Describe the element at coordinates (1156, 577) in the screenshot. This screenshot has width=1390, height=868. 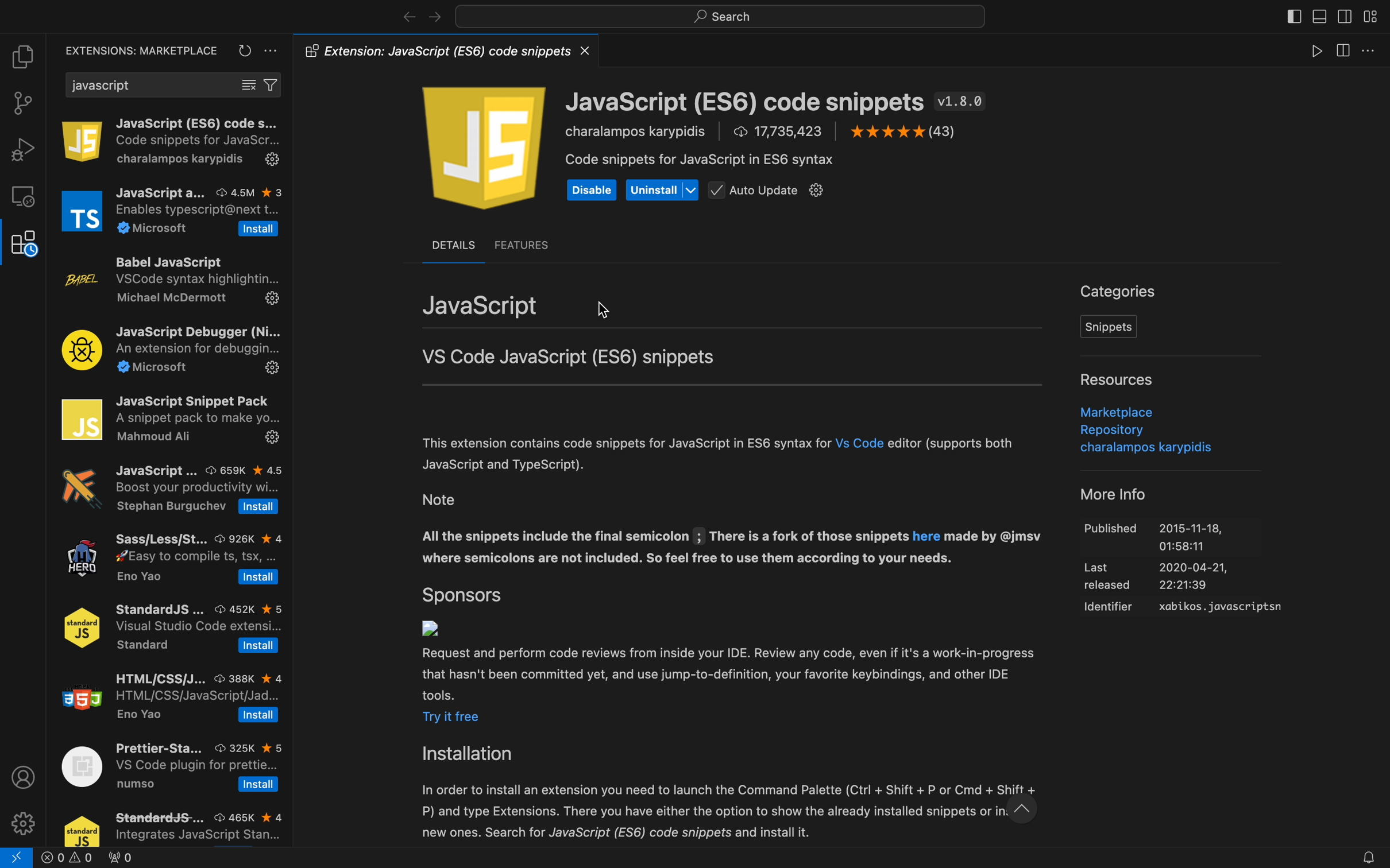
I see `` at that location.